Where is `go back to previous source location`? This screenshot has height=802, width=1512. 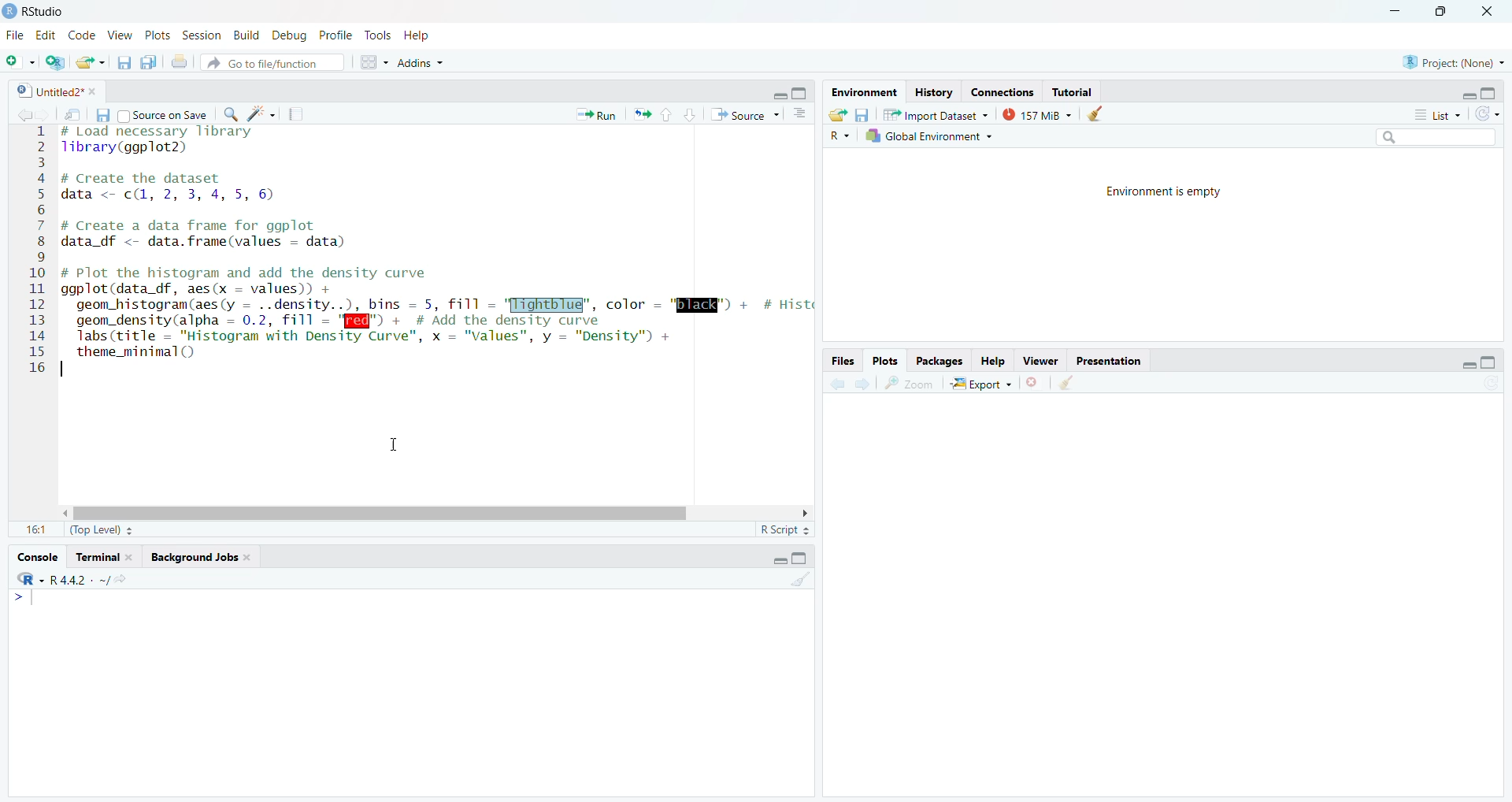
go back to previous source location is located at coordinates (28, 113).